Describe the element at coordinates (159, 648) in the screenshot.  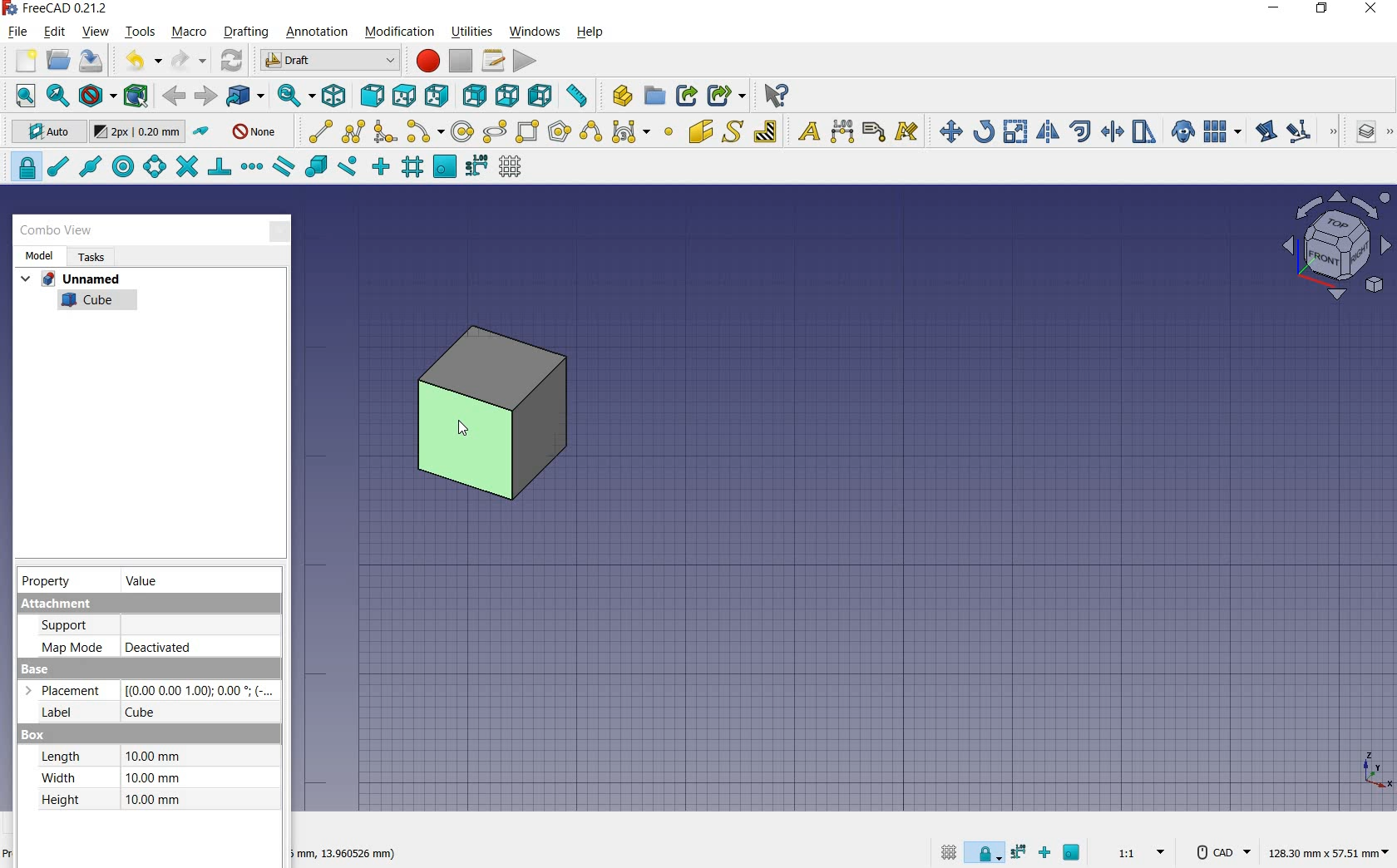
I see `deactivated` at that location.